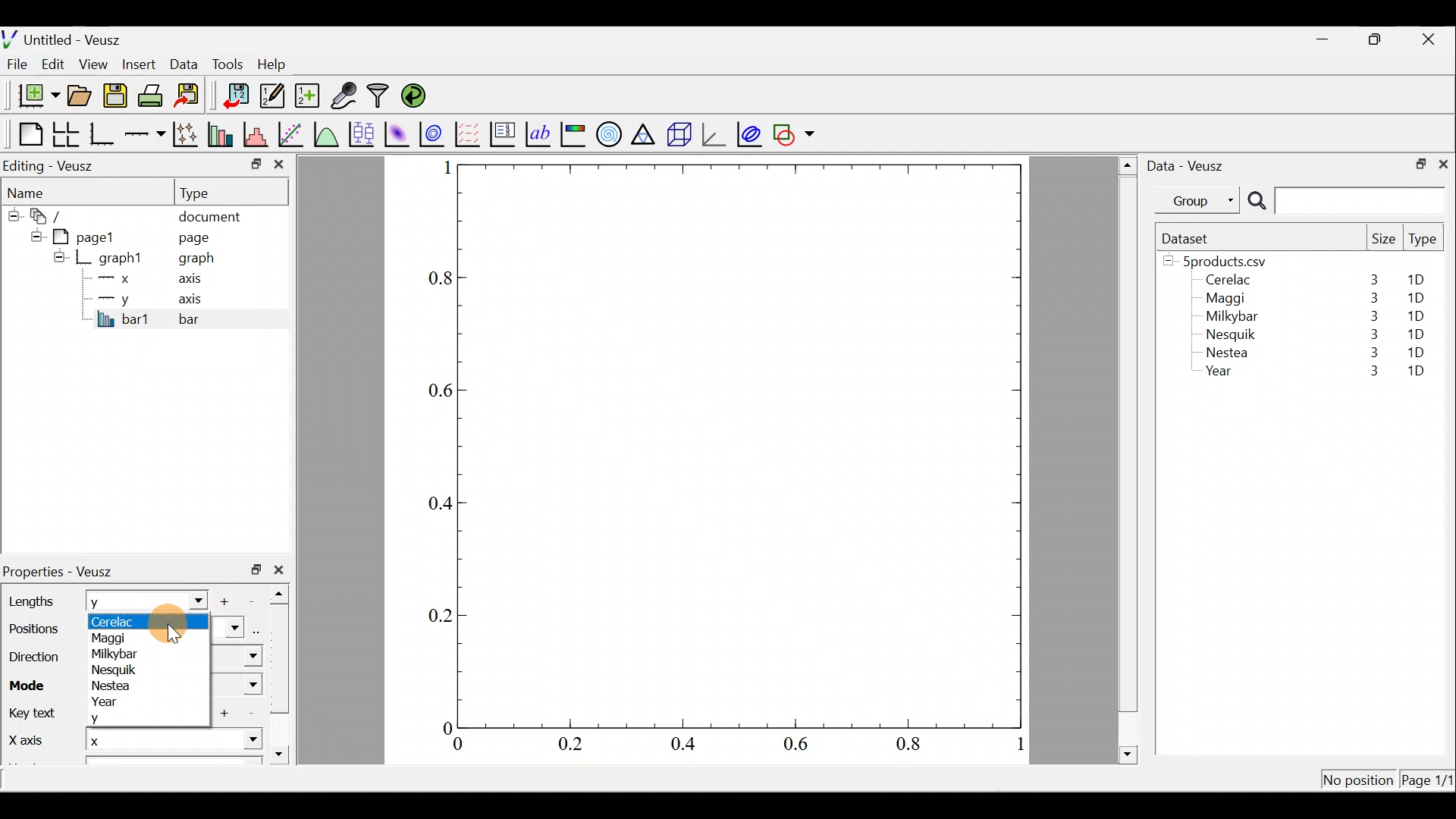 This screenshot has height=819, width=1456. Describe the element at coordinates (141, 64) in the screenshot. I see `Insert` at that location.